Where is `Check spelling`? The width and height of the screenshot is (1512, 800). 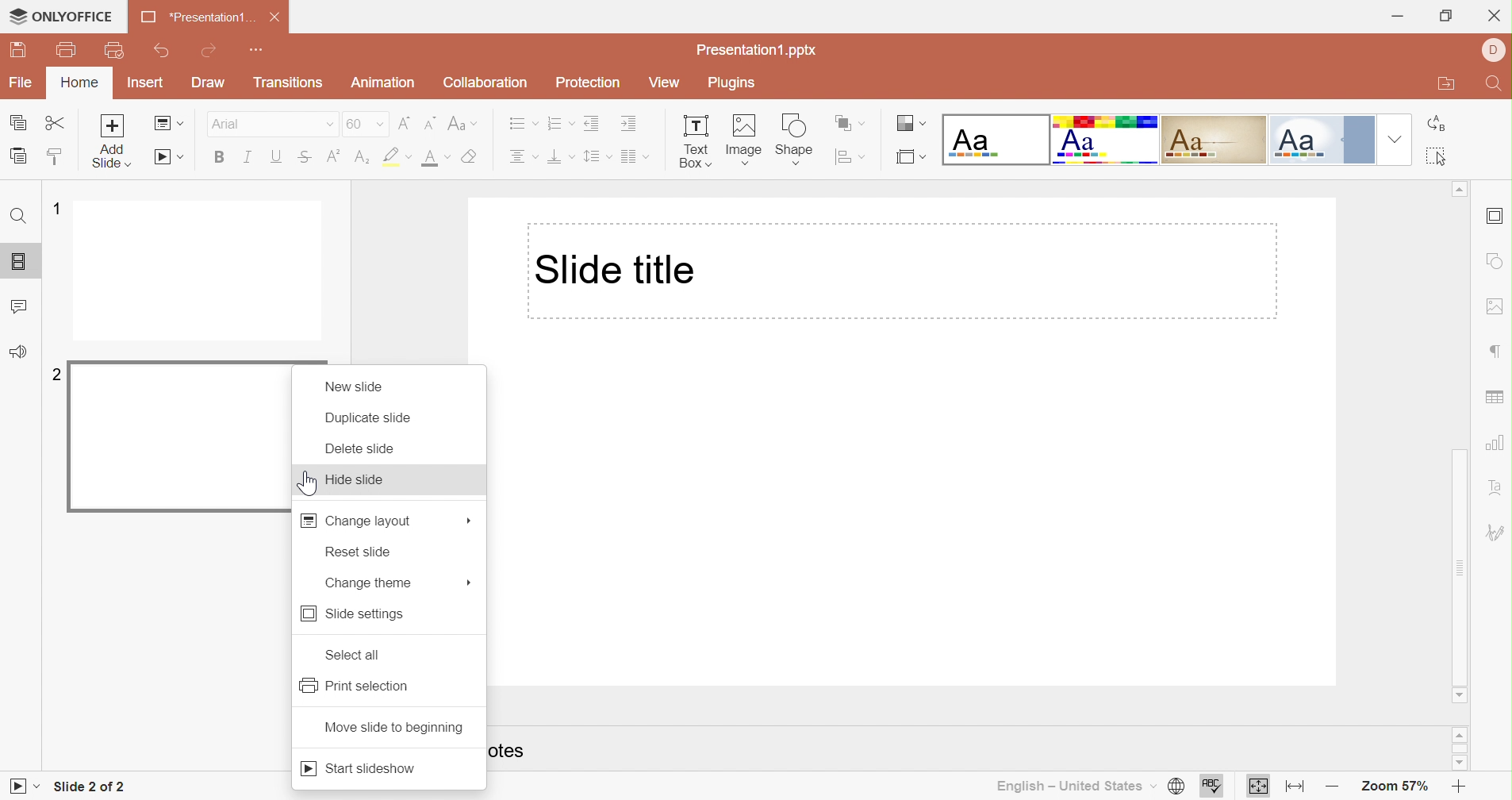
Check spelling is located at coordinates (1211, 787).